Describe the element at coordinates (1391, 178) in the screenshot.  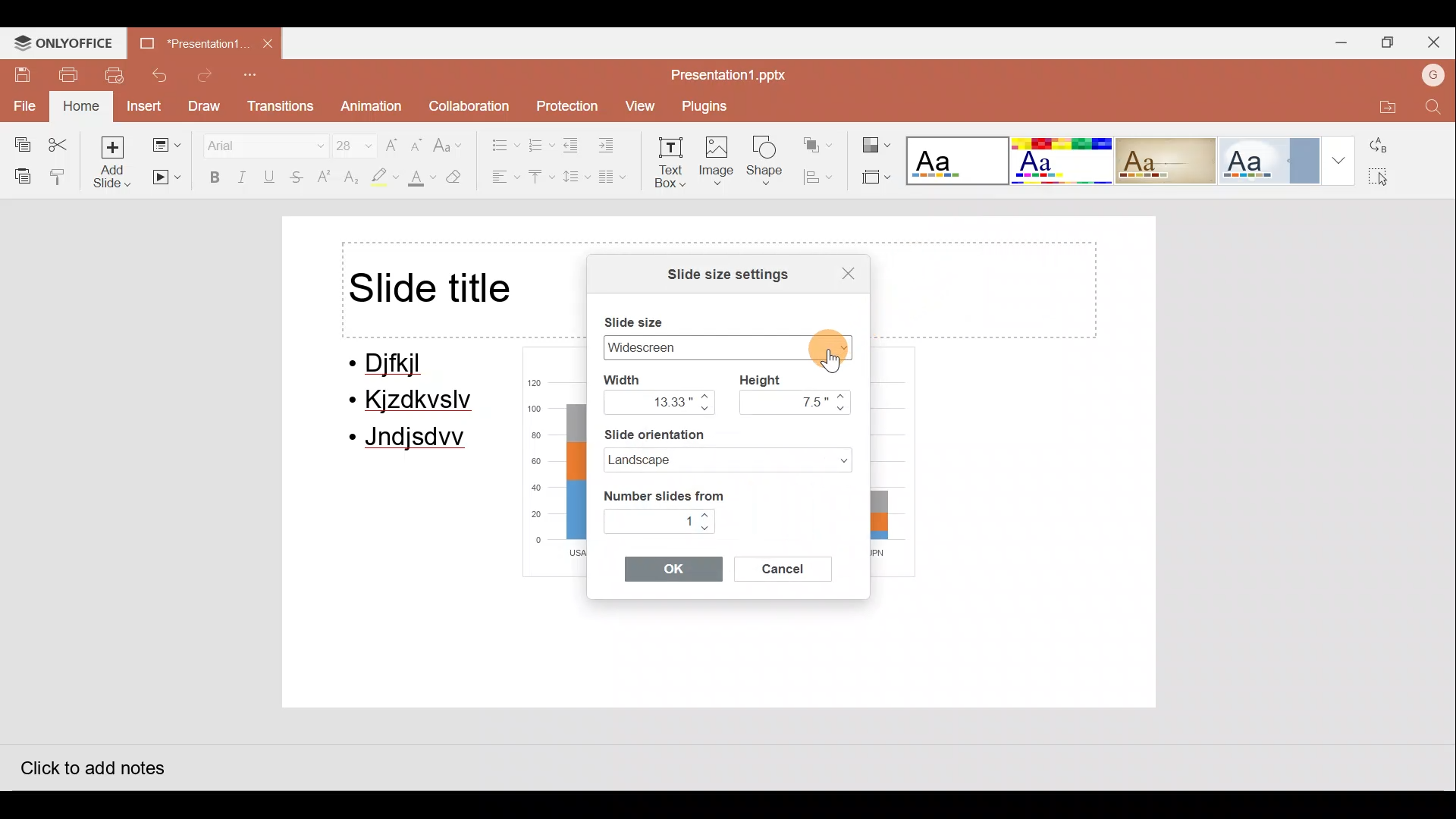
I see `Select all` at that location.